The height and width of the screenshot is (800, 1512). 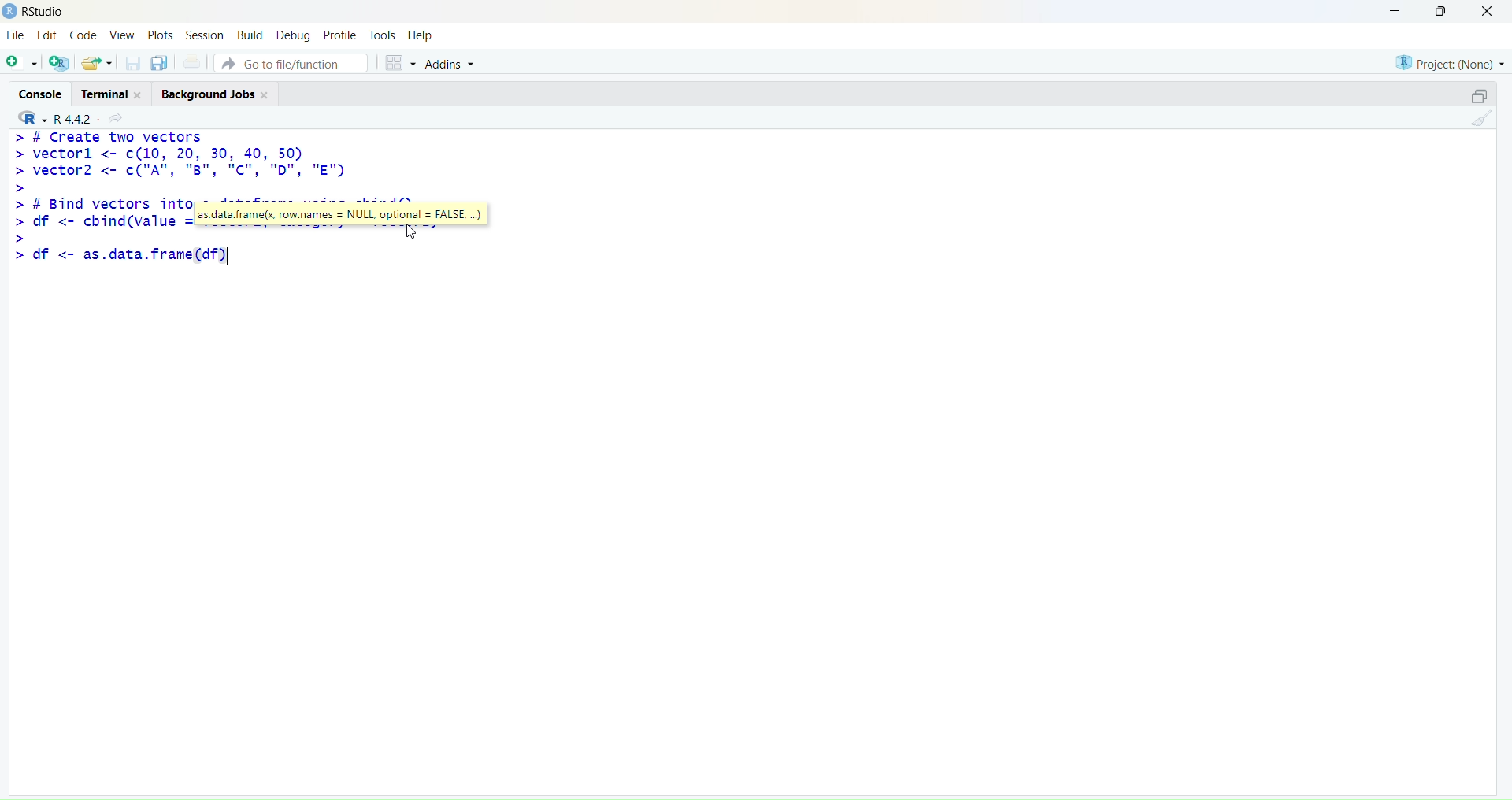 What do you see at coordinates (1448, 63) in the screenshot?
I see `Project: (None)` at bounding box center [1448, 63].